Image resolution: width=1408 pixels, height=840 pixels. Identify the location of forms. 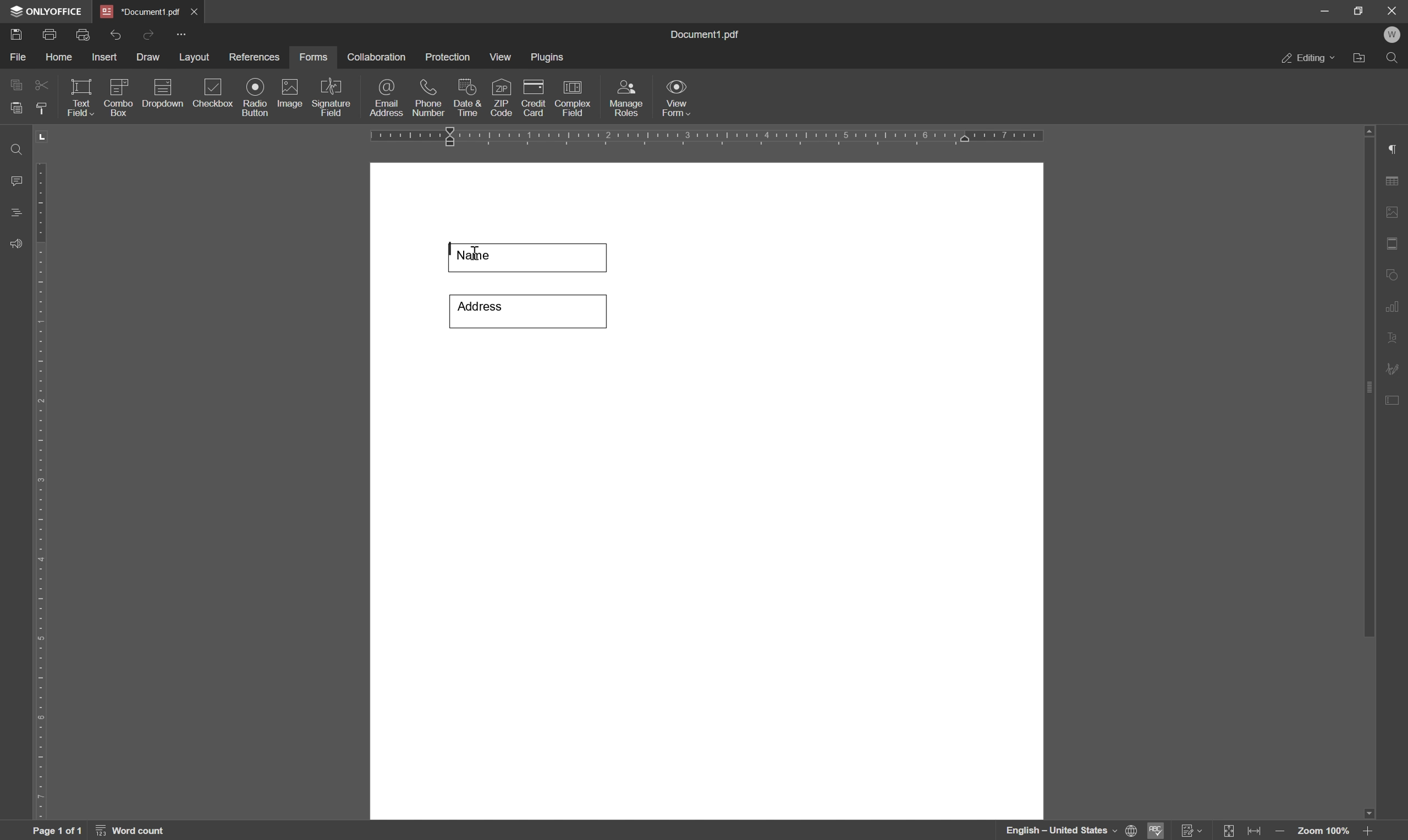
(314, 58).